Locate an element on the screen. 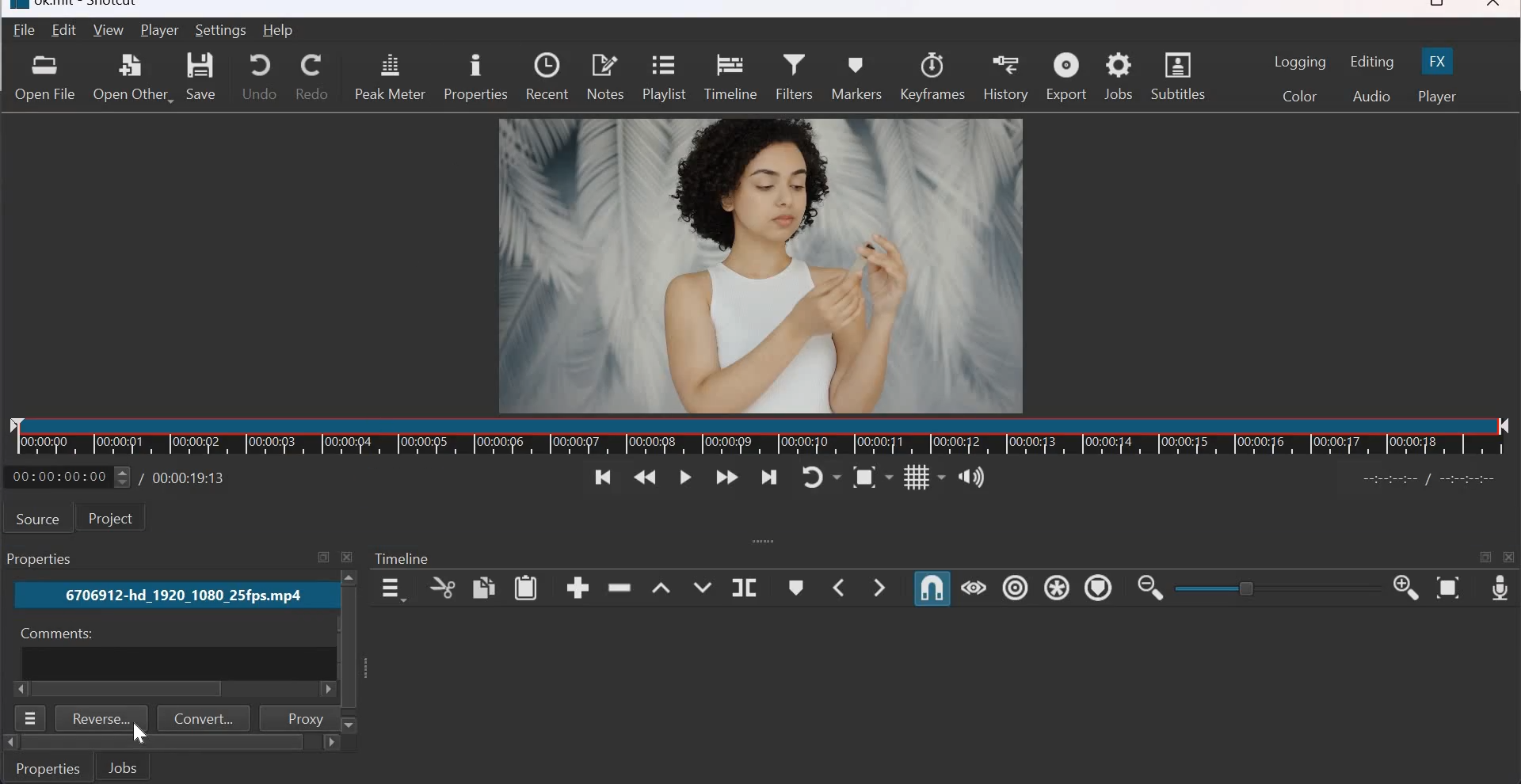  Filters is located at coordinates (794, 77).